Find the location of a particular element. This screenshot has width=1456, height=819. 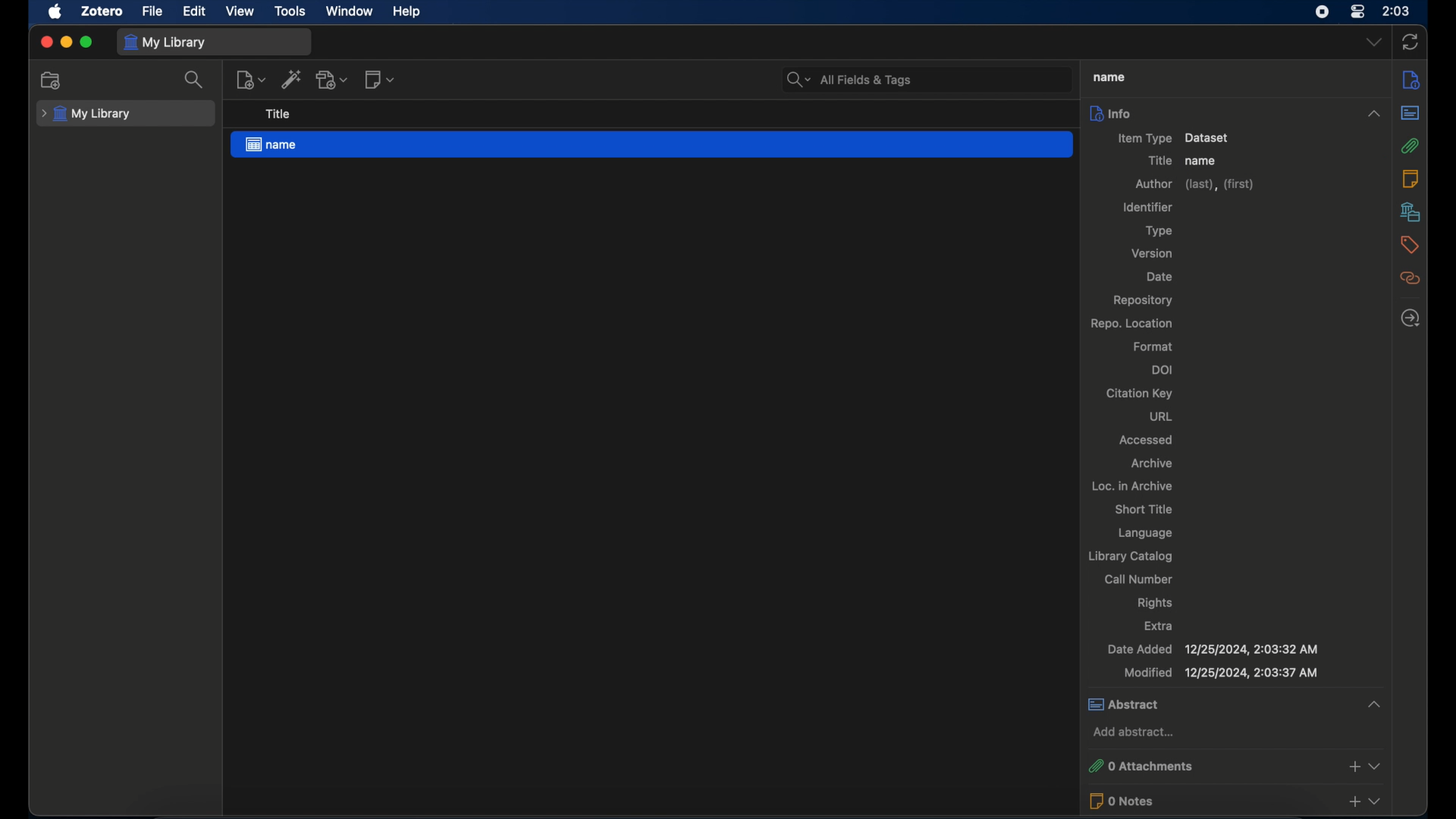

info is located at coordinates (1410, 80).